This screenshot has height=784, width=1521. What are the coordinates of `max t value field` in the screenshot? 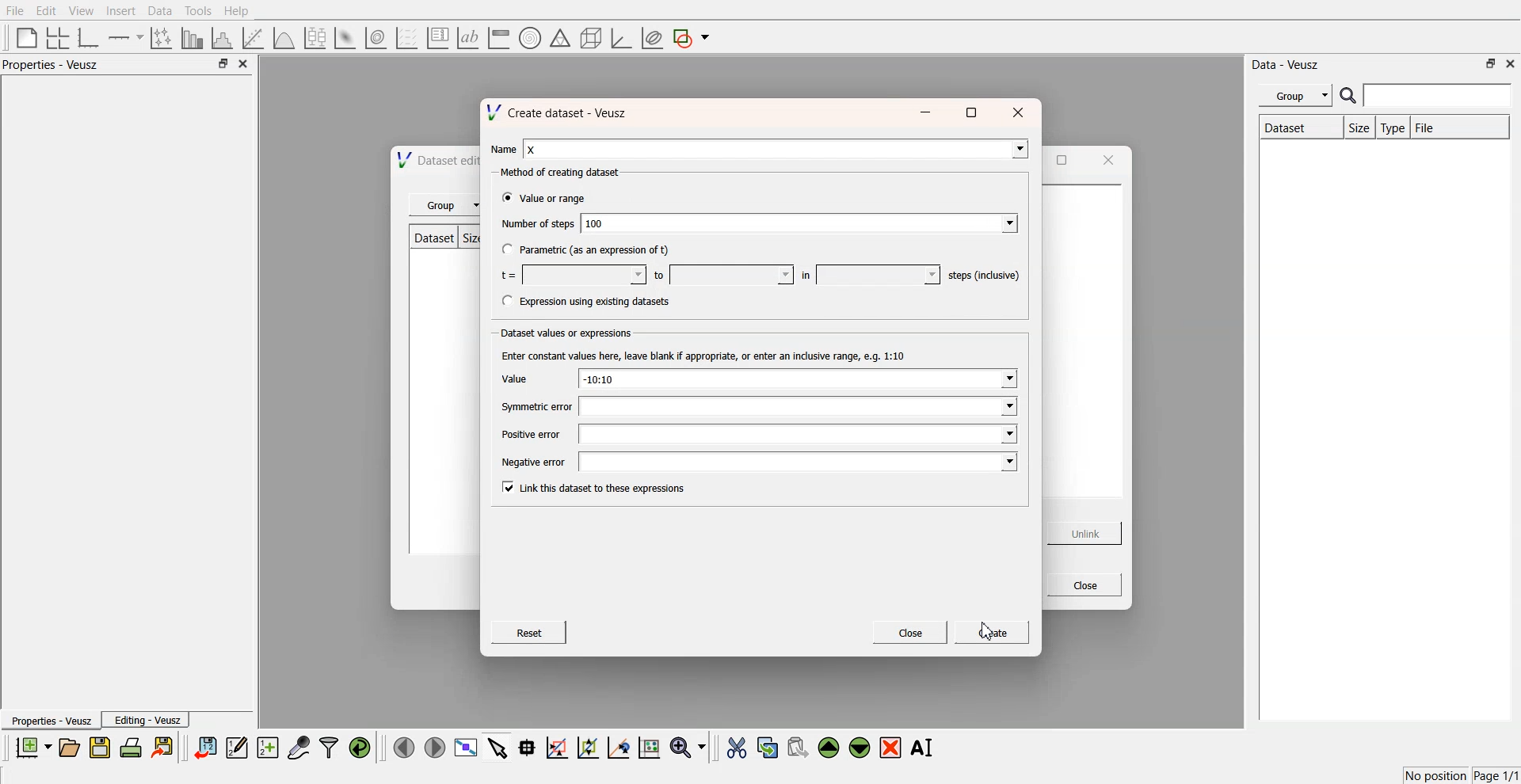 It's located at (732, 275).